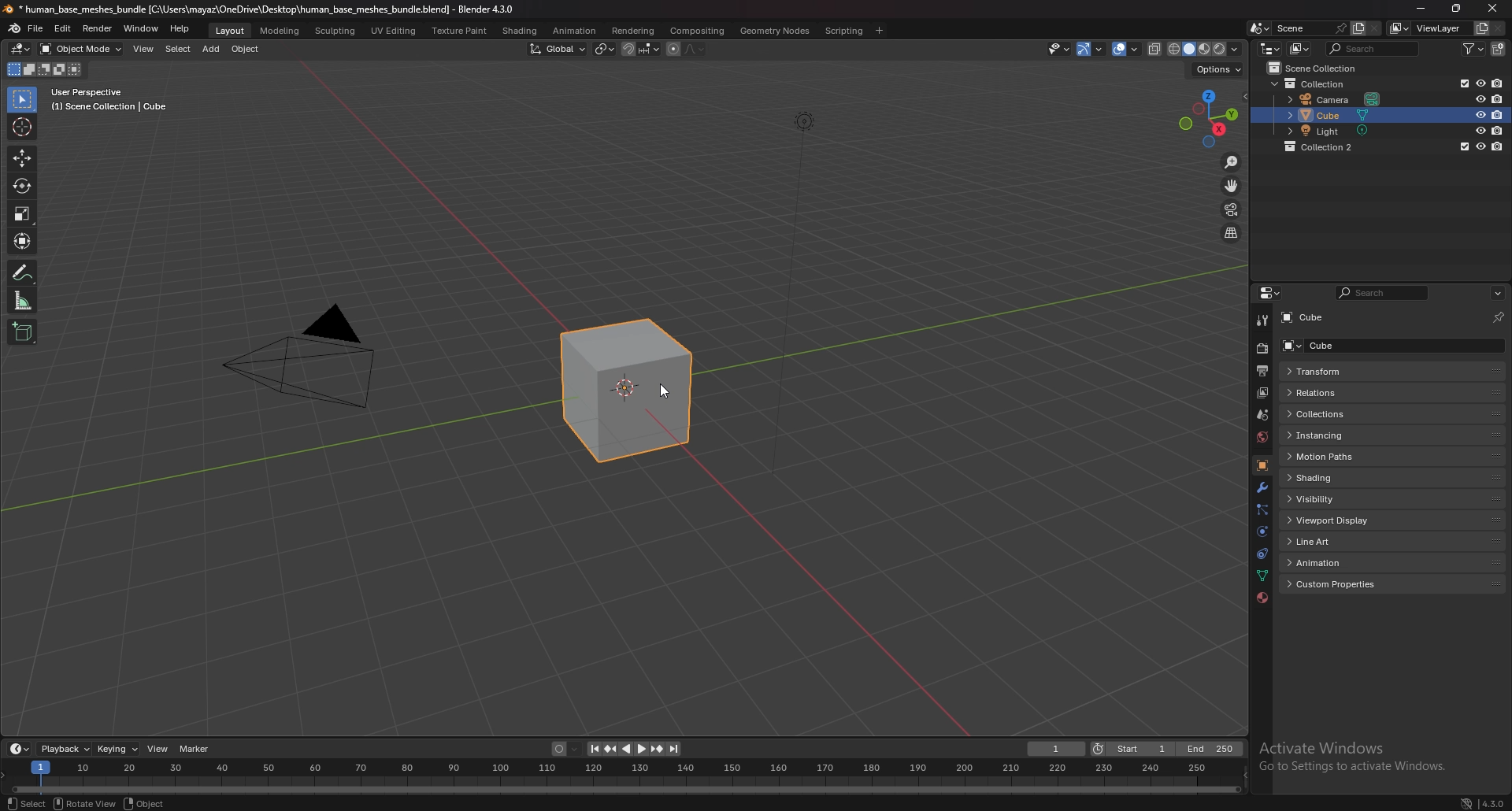 The image size is (1512, 811). What do you see at coordinates (1358, 28) in the screenshot?
I see `add scene` at bounding box center [1358, 28].